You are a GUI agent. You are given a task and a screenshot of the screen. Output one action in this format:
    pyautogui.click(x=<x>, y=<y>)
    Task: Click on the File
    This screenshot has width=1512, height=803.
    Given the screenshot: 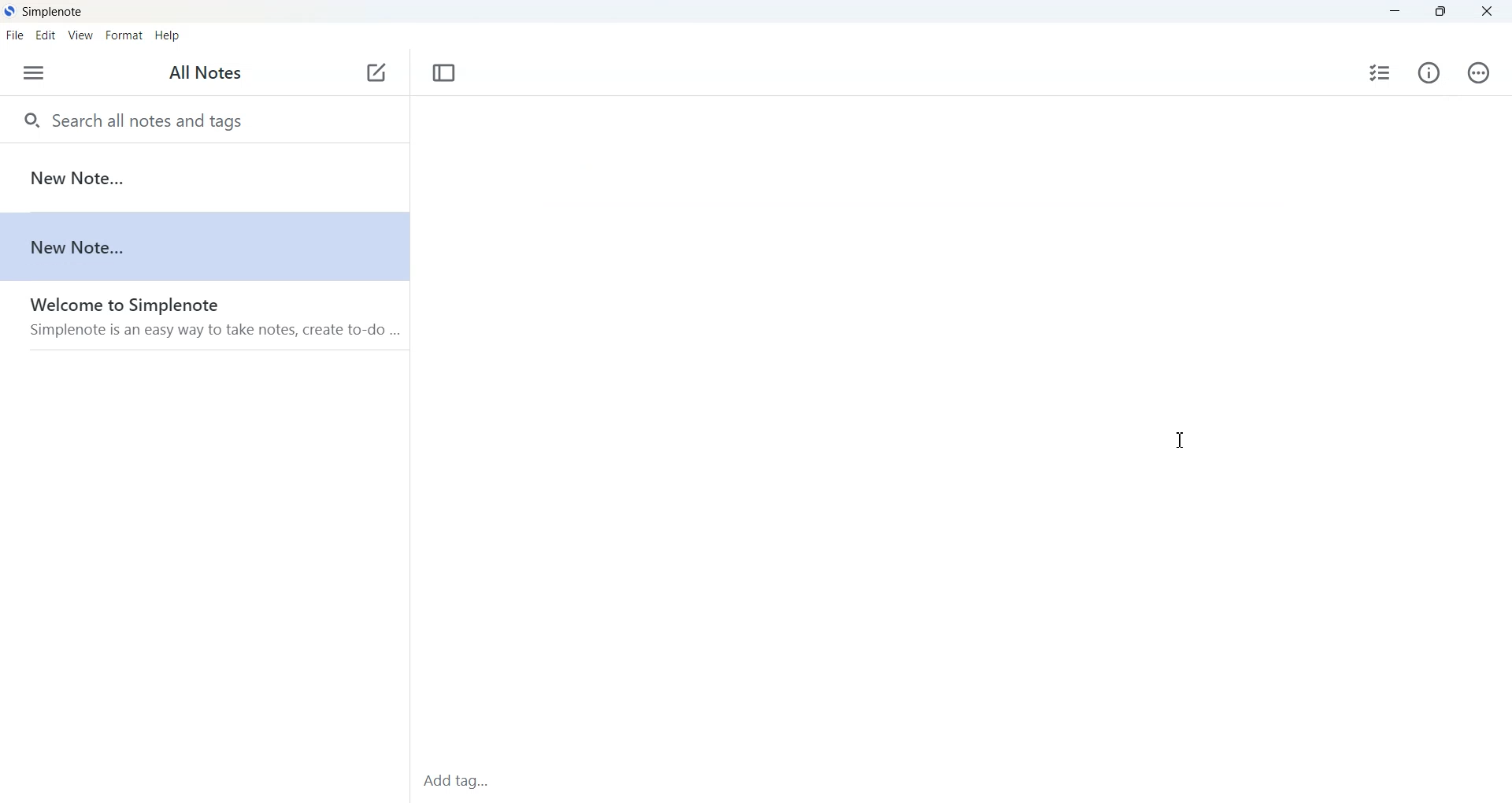 What is the action you would take?
    pyautogui.click(x=14, y=35)
    